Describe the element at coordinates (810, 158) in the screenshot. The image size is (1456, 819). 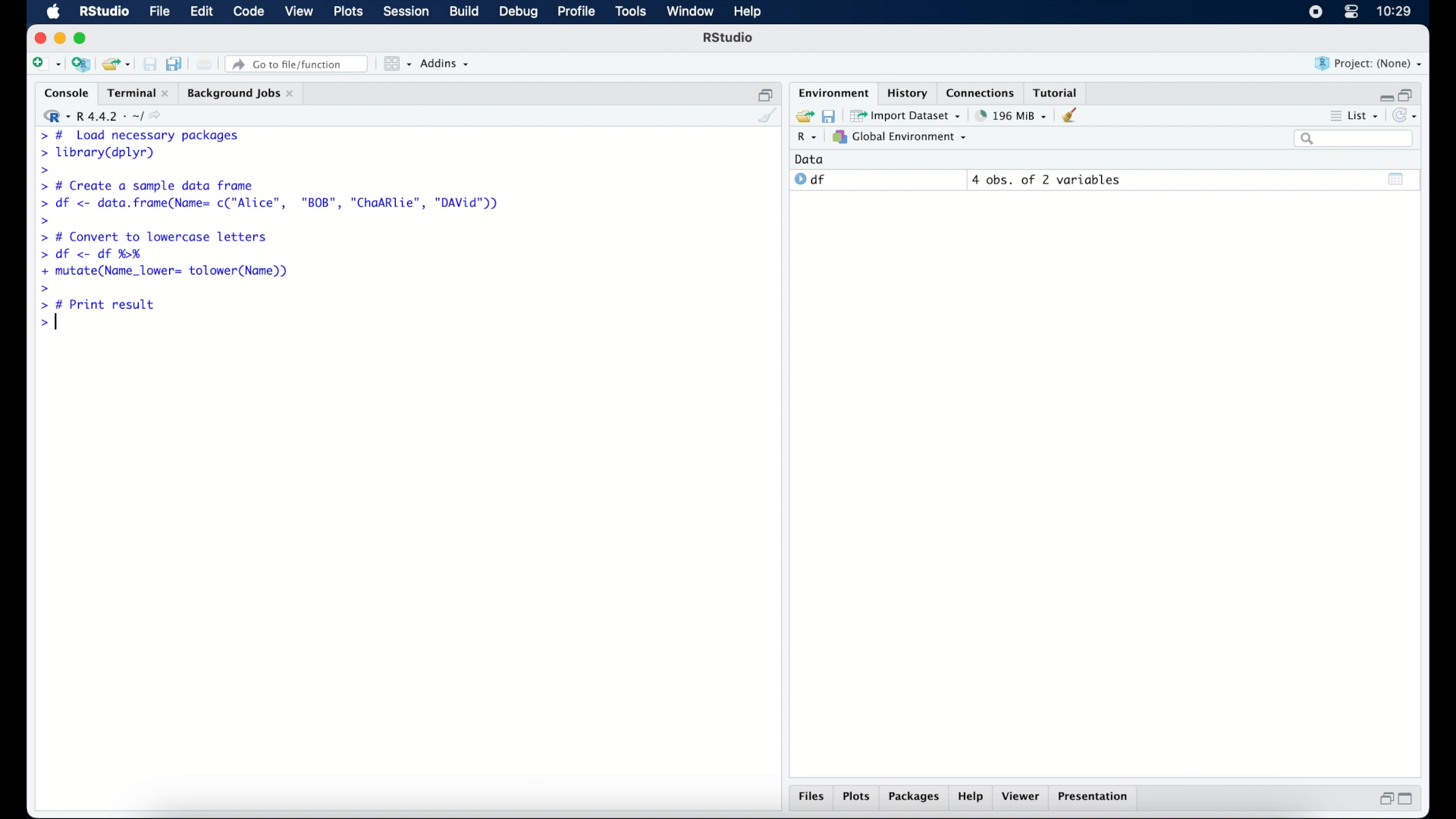
I see `date` at that location.